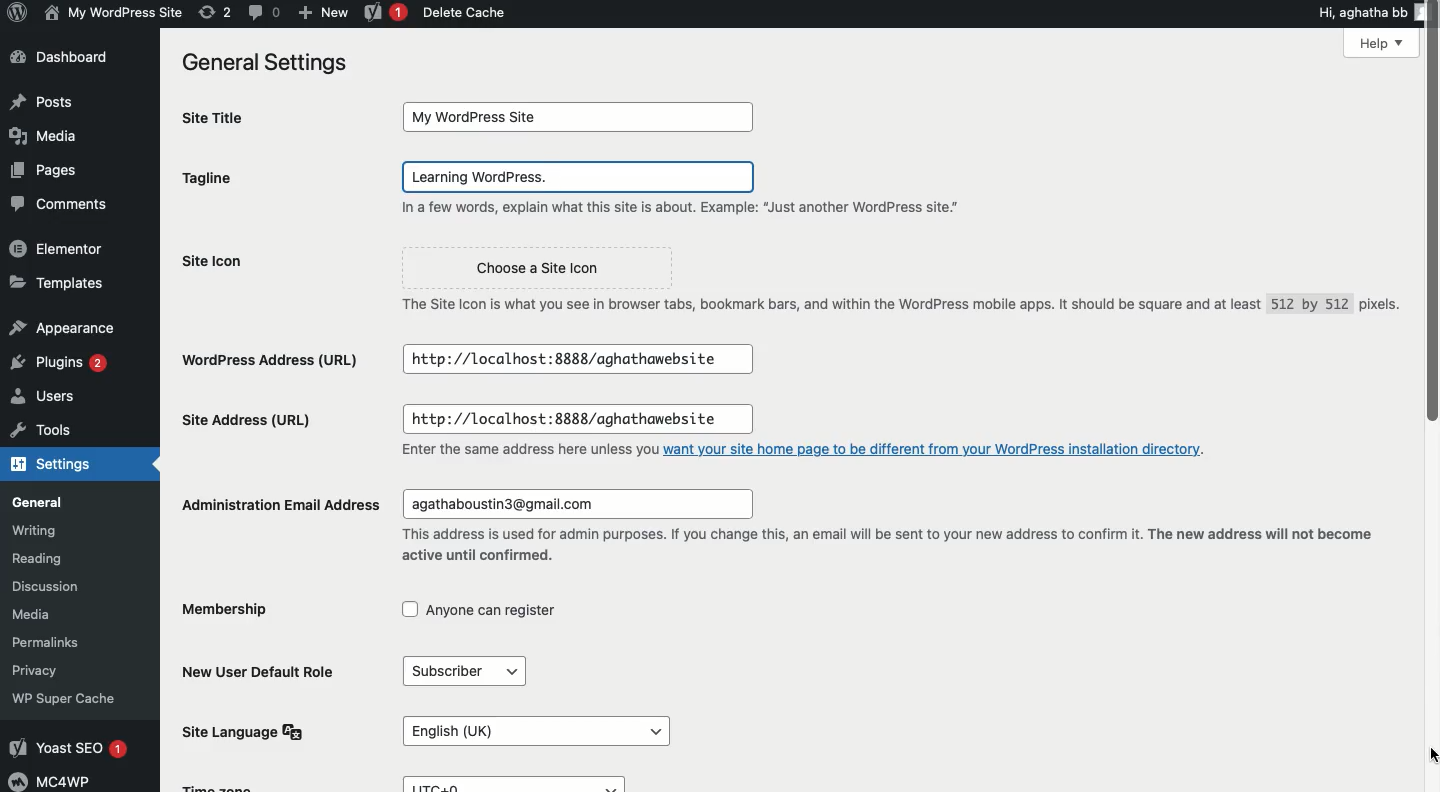 This screenshot has height=792, width=1440. Describe the element at coordinates (240, 785) in the screenshot. I see `Time zone` at that location.